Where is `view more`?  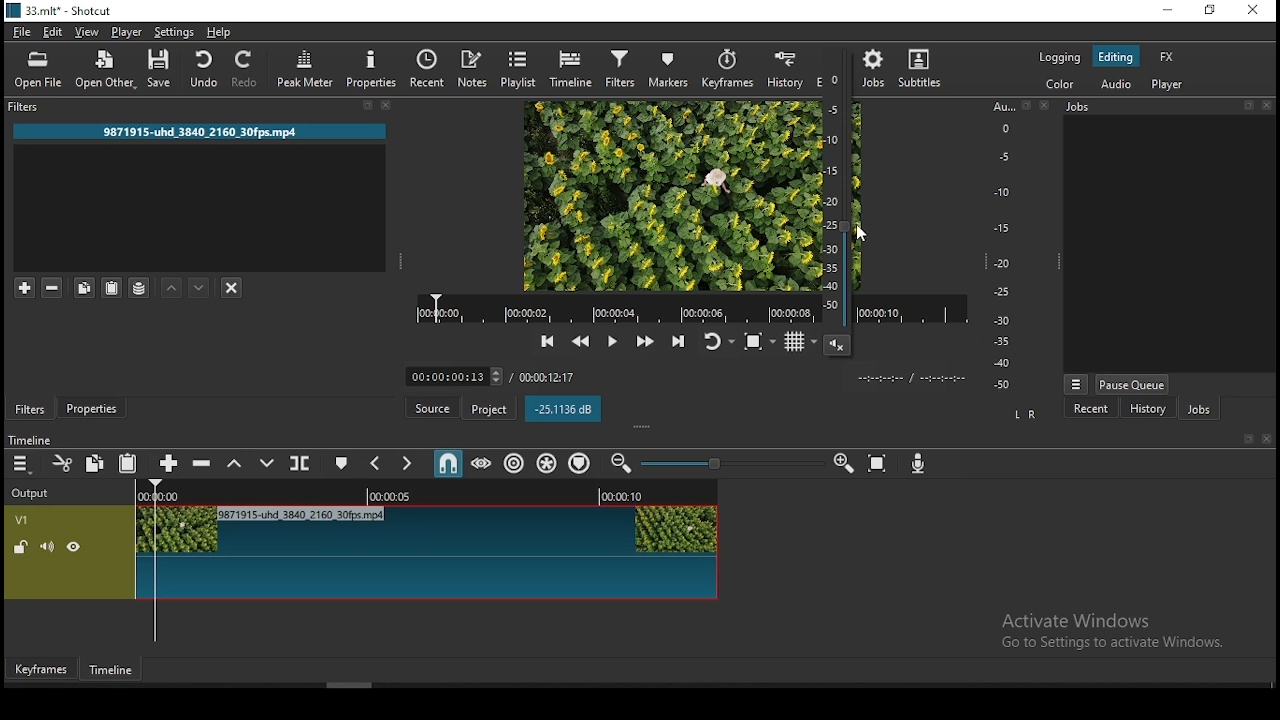 view more is located at coordinates (1077, 382).